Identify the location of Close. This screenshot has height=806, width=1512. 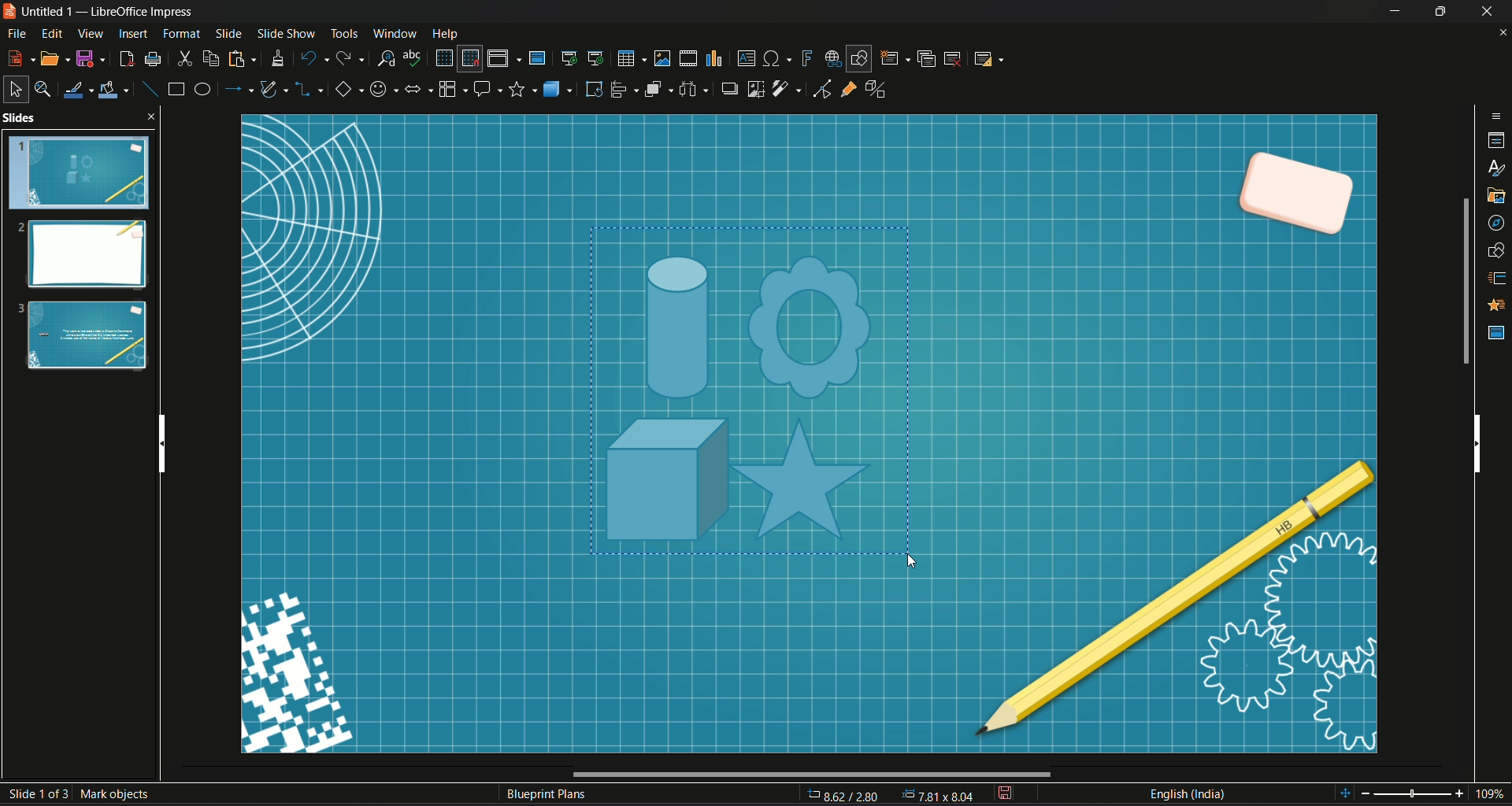
(1488, 11).